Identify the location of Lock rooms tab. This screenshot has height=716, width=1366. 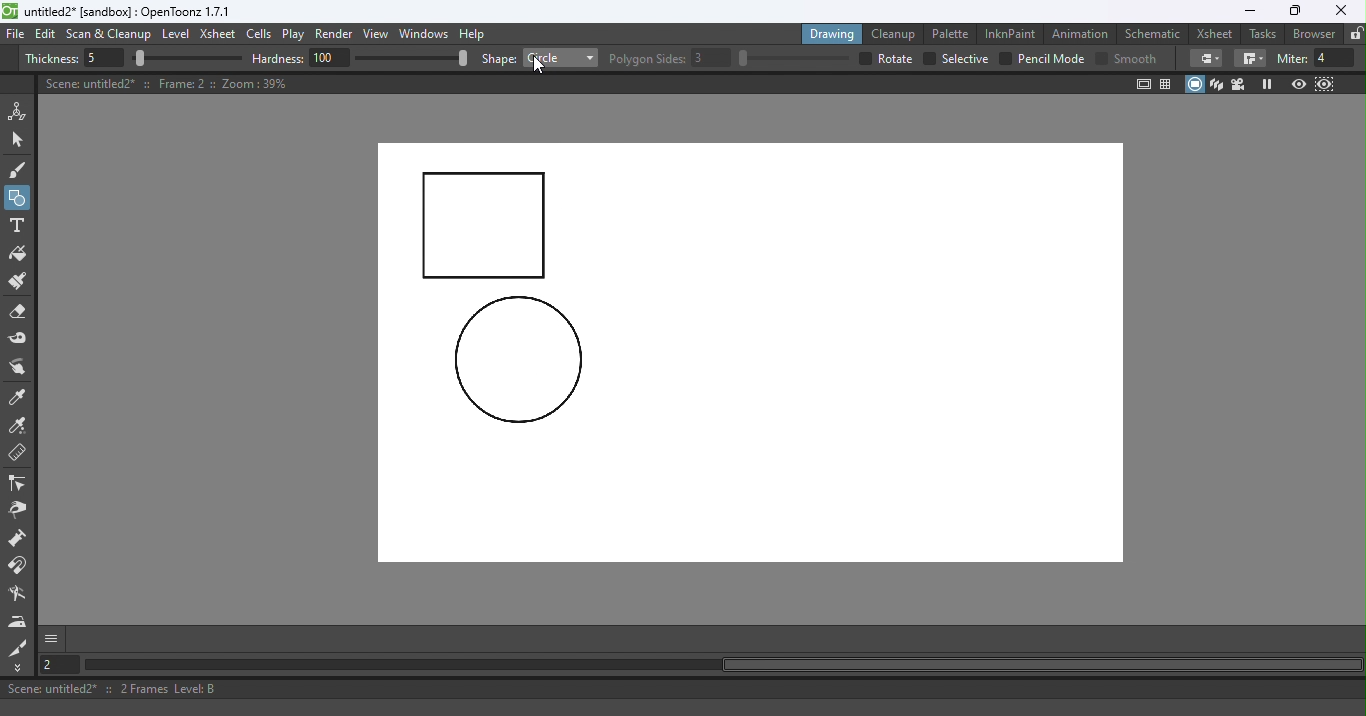
(1356, 35).